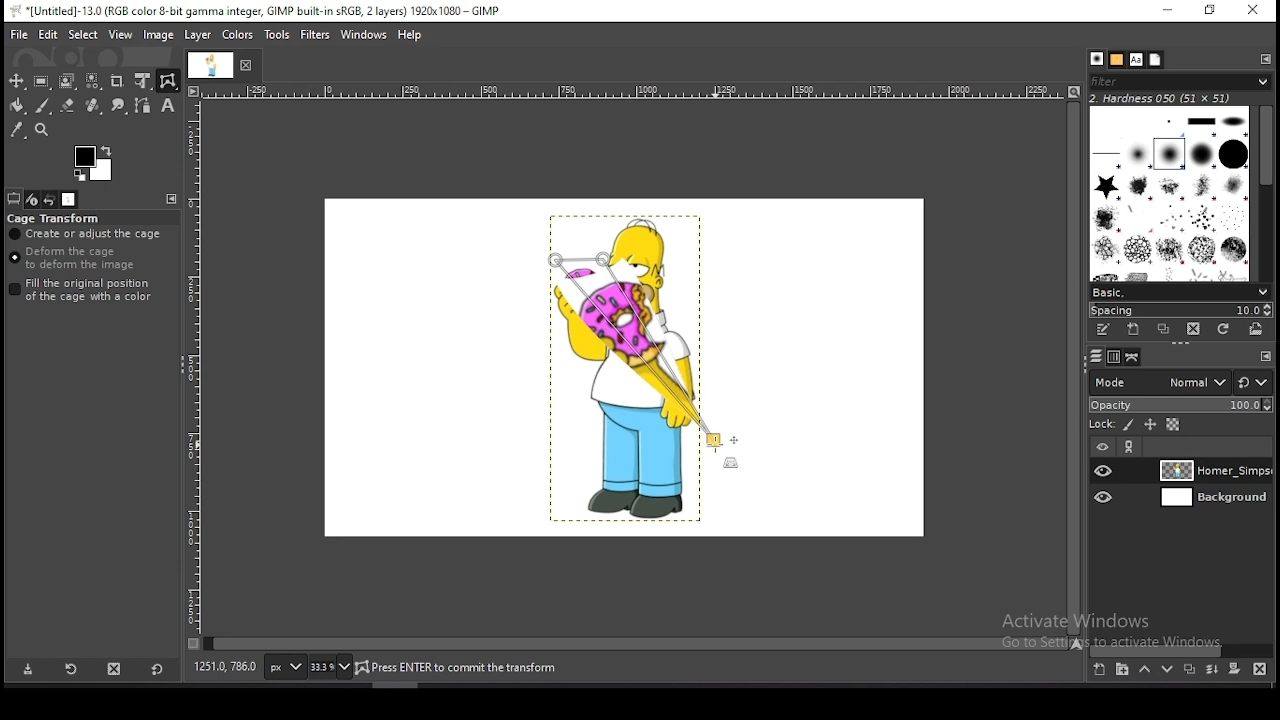 The image size is (1280, 720). I want to click on cage transform tool, so click(168, 81).